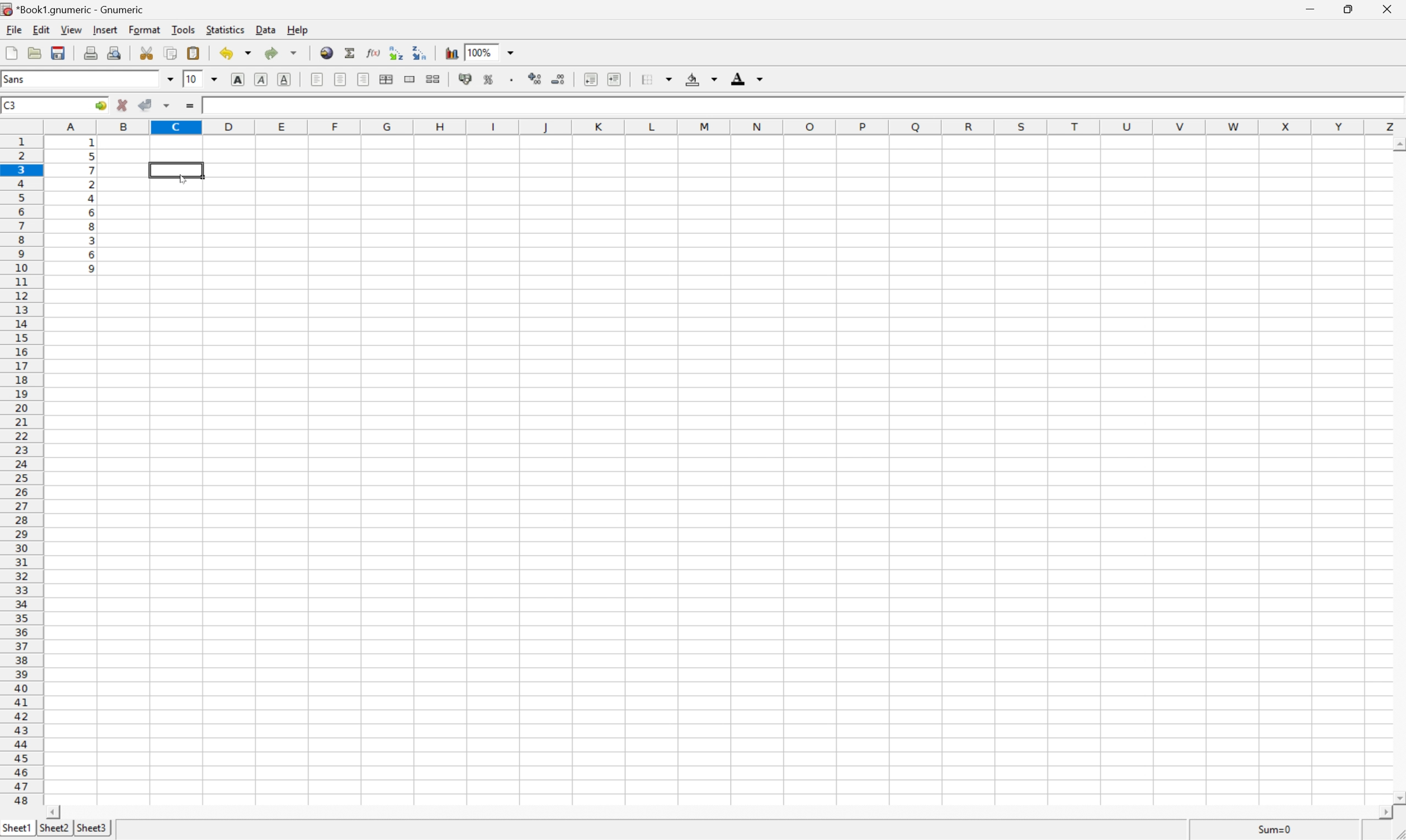 This screenshot has width=1406, height=840. What do you see at coordinates (1397, 797) in the screenshot?
I see `scroll down` at bounding box center [1397, 797].